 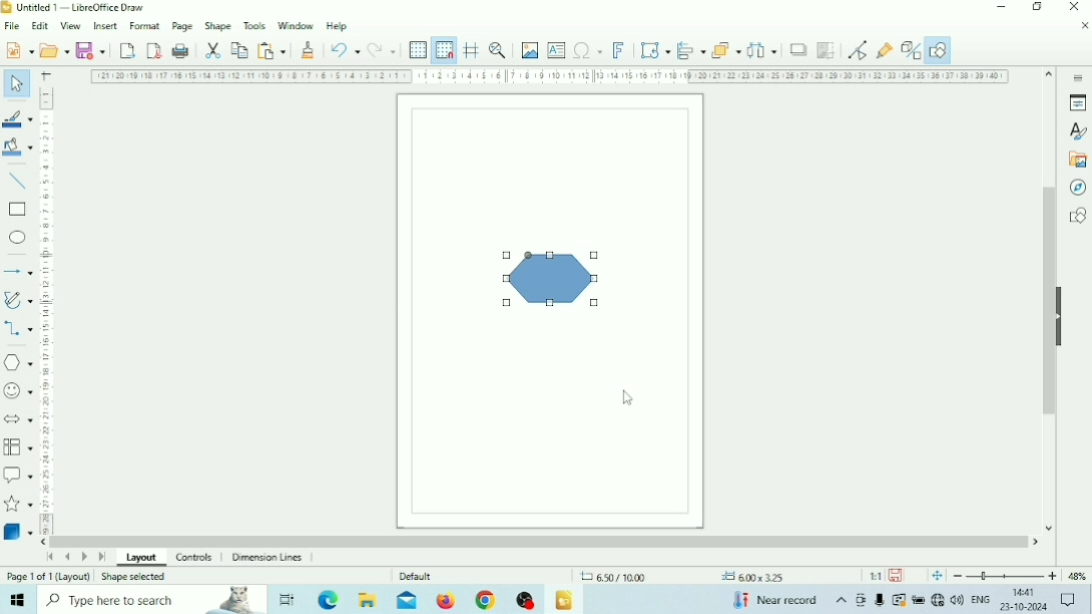 I want to click on Type here to search, so click(x=152, y=599).